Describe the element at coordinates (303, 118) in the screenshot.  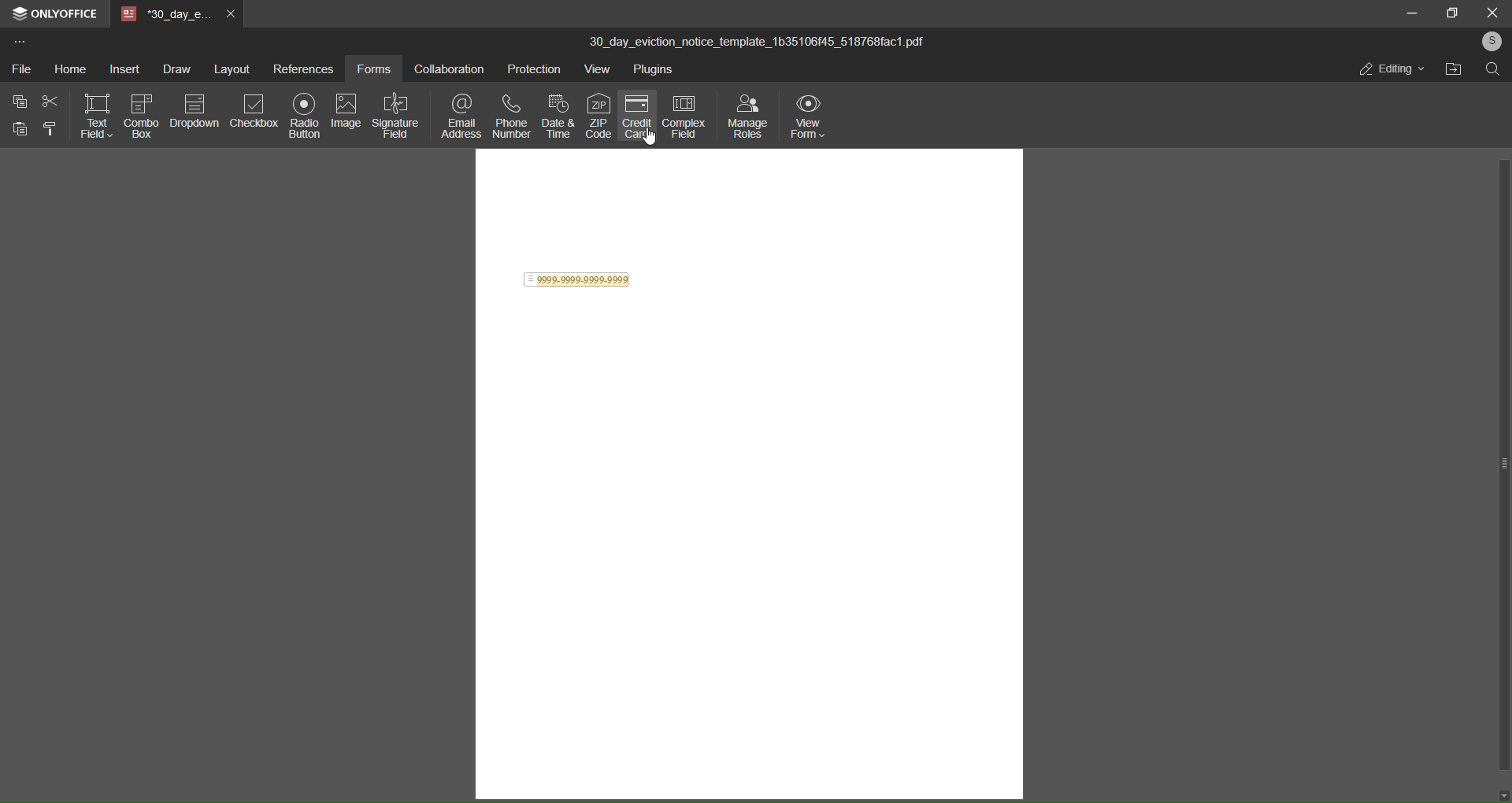
I see `radio button` at that location.